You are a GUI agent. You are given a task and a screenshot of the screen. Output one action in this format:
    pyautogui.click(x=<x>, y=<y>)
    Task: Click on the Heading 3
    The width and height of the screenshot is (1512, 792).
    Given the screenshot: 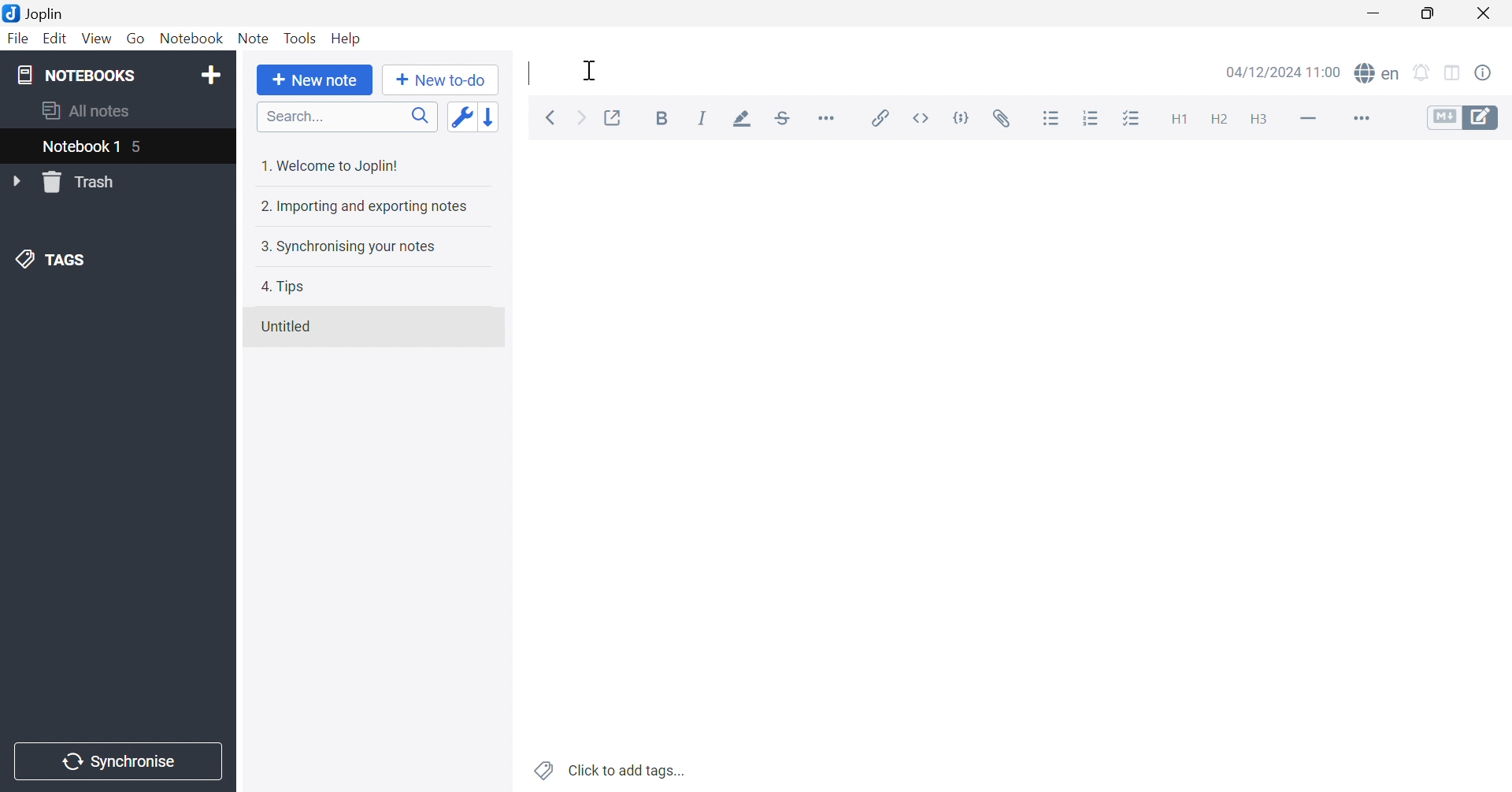 What is the action you would take?
    pyautogui.click(x=1259, y=122)
    